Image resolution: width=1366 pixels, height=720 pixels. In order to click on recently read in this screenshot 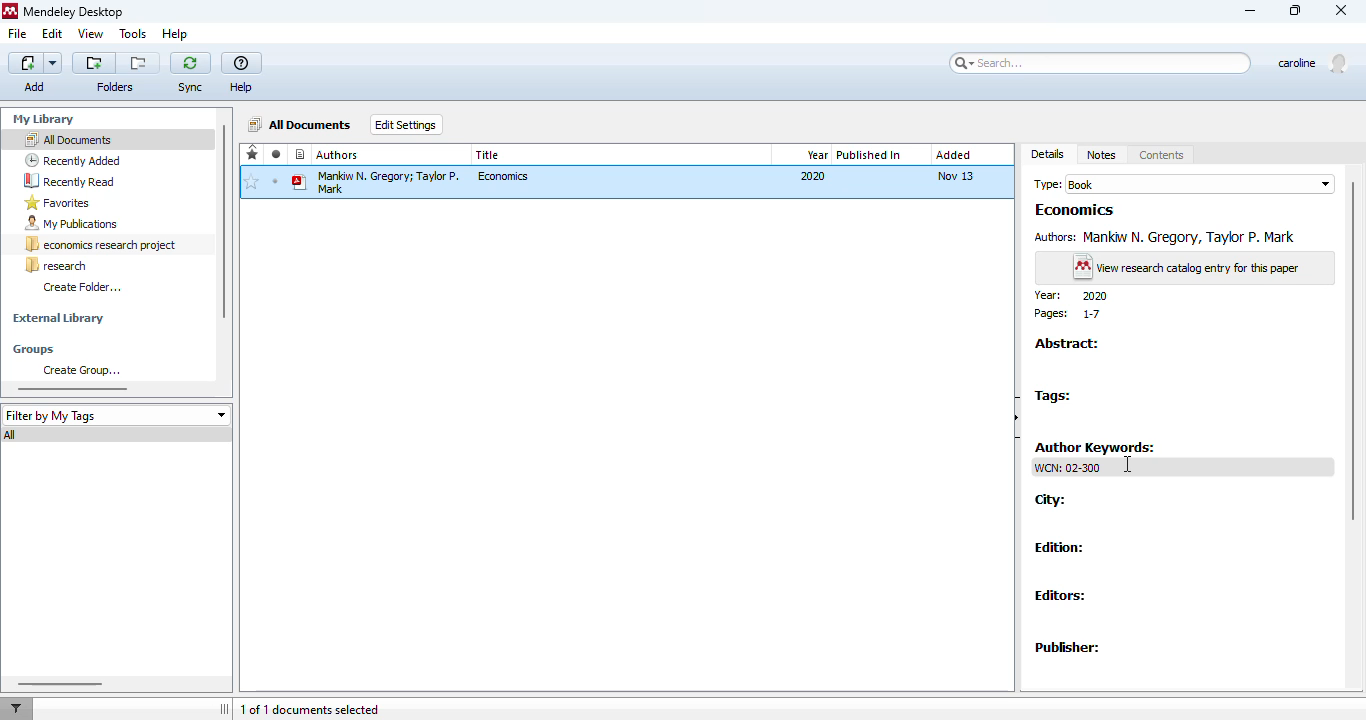, I will do `click(72, 182)`.